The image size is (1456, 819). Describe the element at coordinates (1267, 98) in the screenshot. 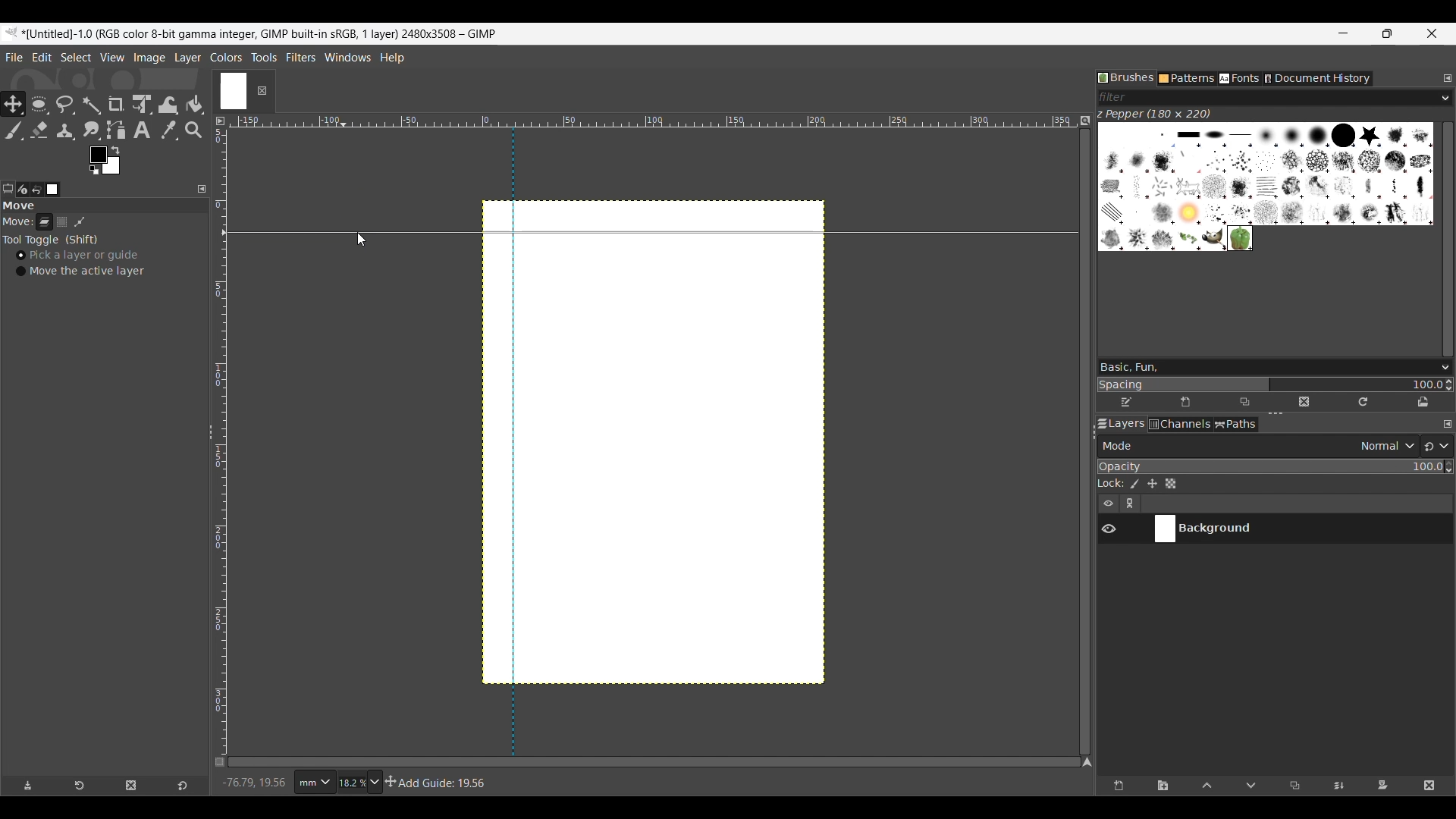

I see `Type in brush filter` at that location.